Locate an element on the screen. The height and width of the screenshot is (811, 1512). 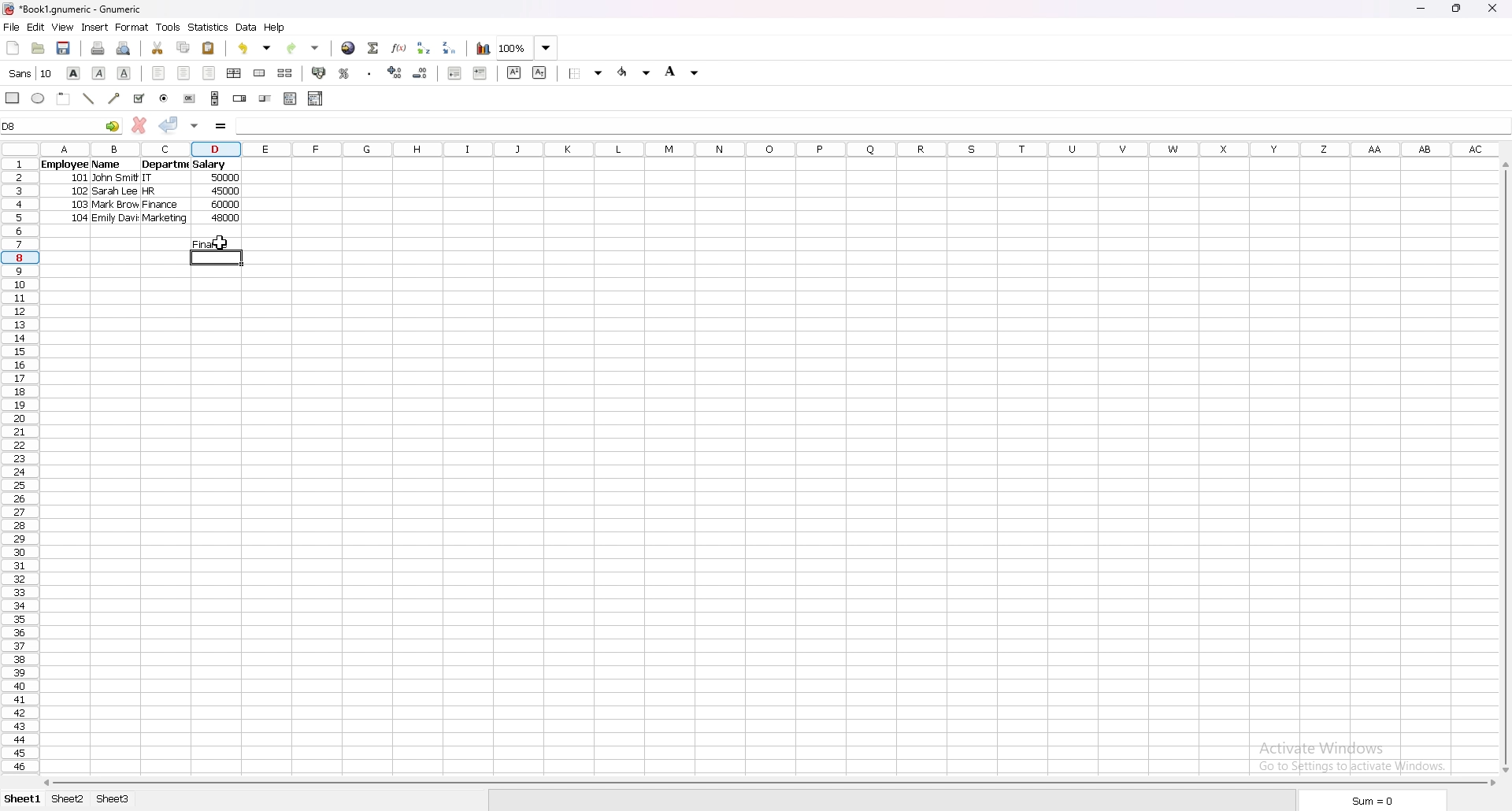
sort descending is located at coordinates (450, 48).